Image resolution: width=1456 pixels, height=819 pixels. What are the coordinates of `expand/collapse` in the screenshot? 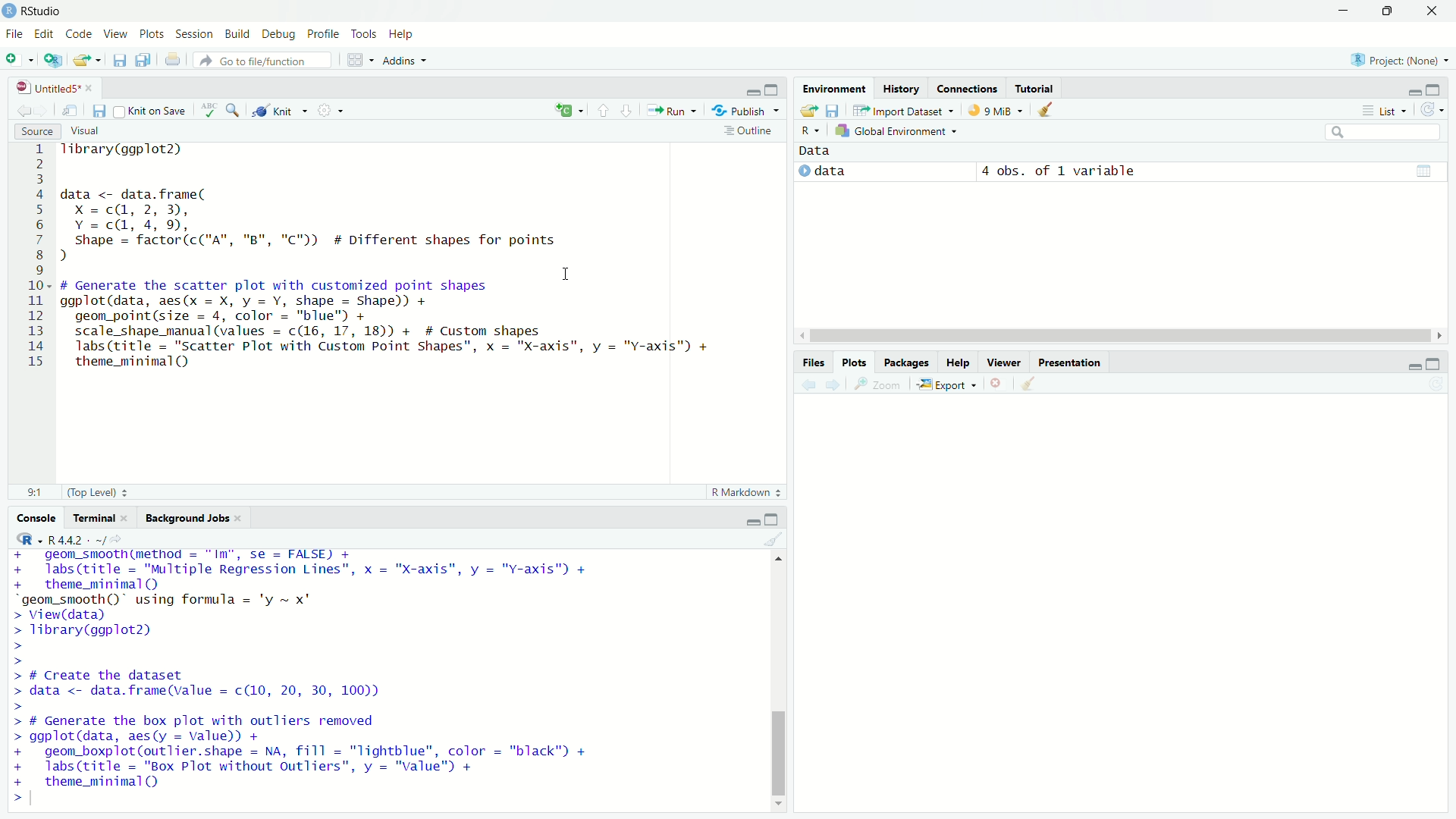 It's located at (802, 170).